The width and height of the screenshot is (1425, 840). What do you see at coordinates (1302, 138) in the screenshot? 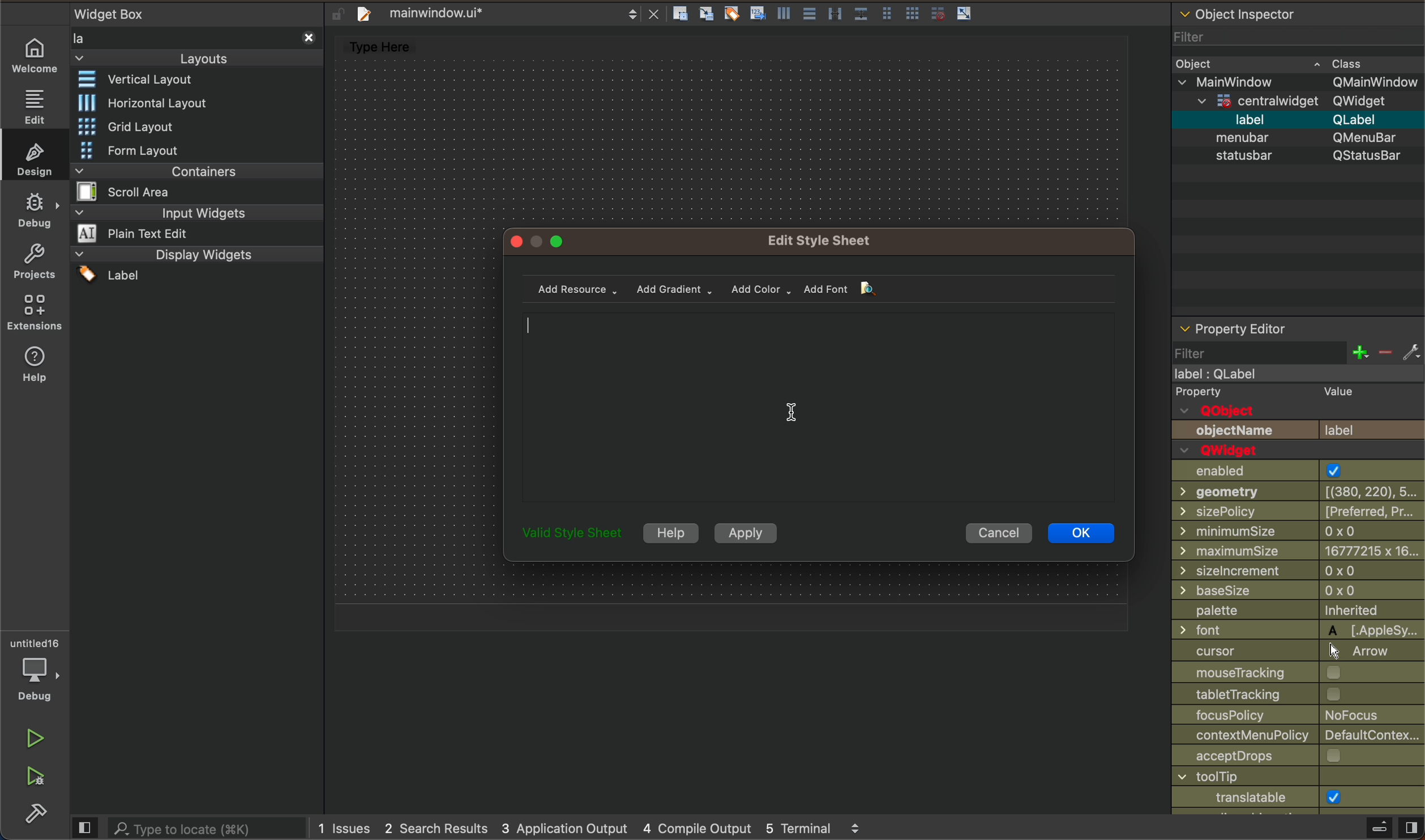
I see `menubar` at bounding box center [1302, 138].